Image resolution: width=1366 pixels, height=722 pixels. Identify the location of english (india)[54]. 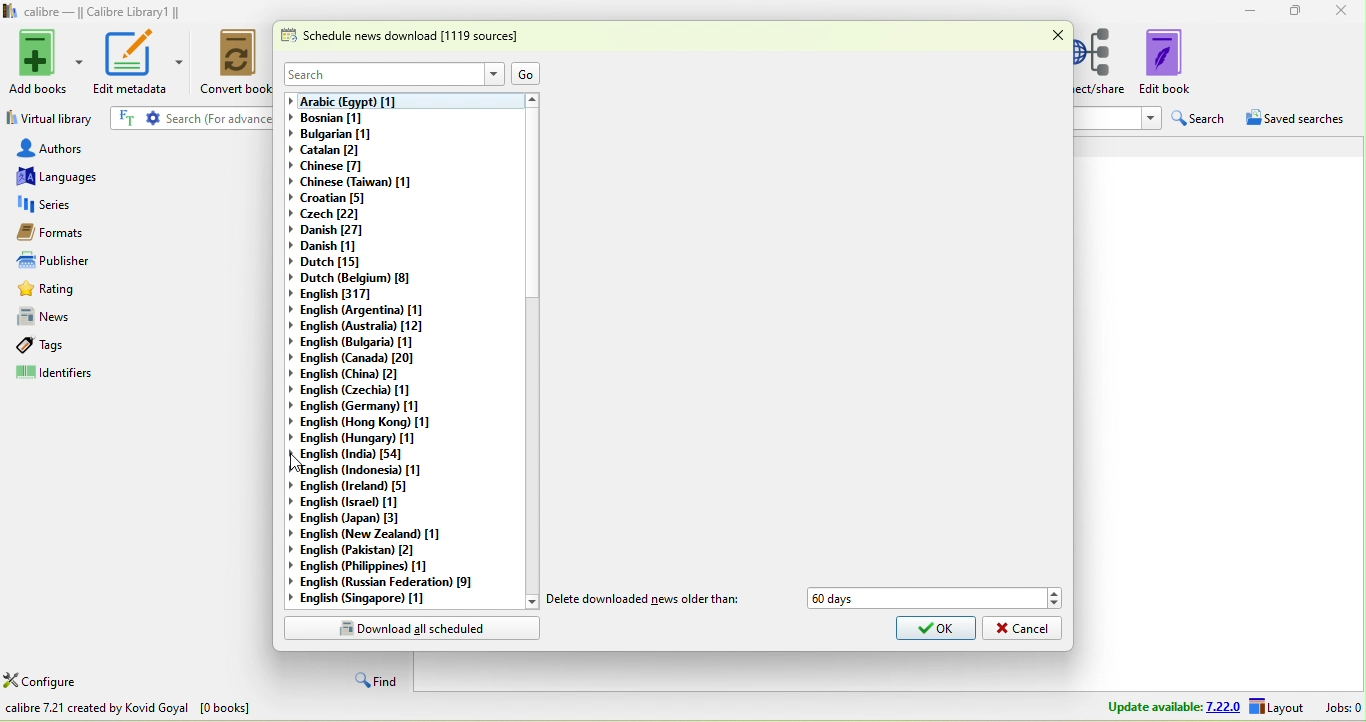
(355, 454).